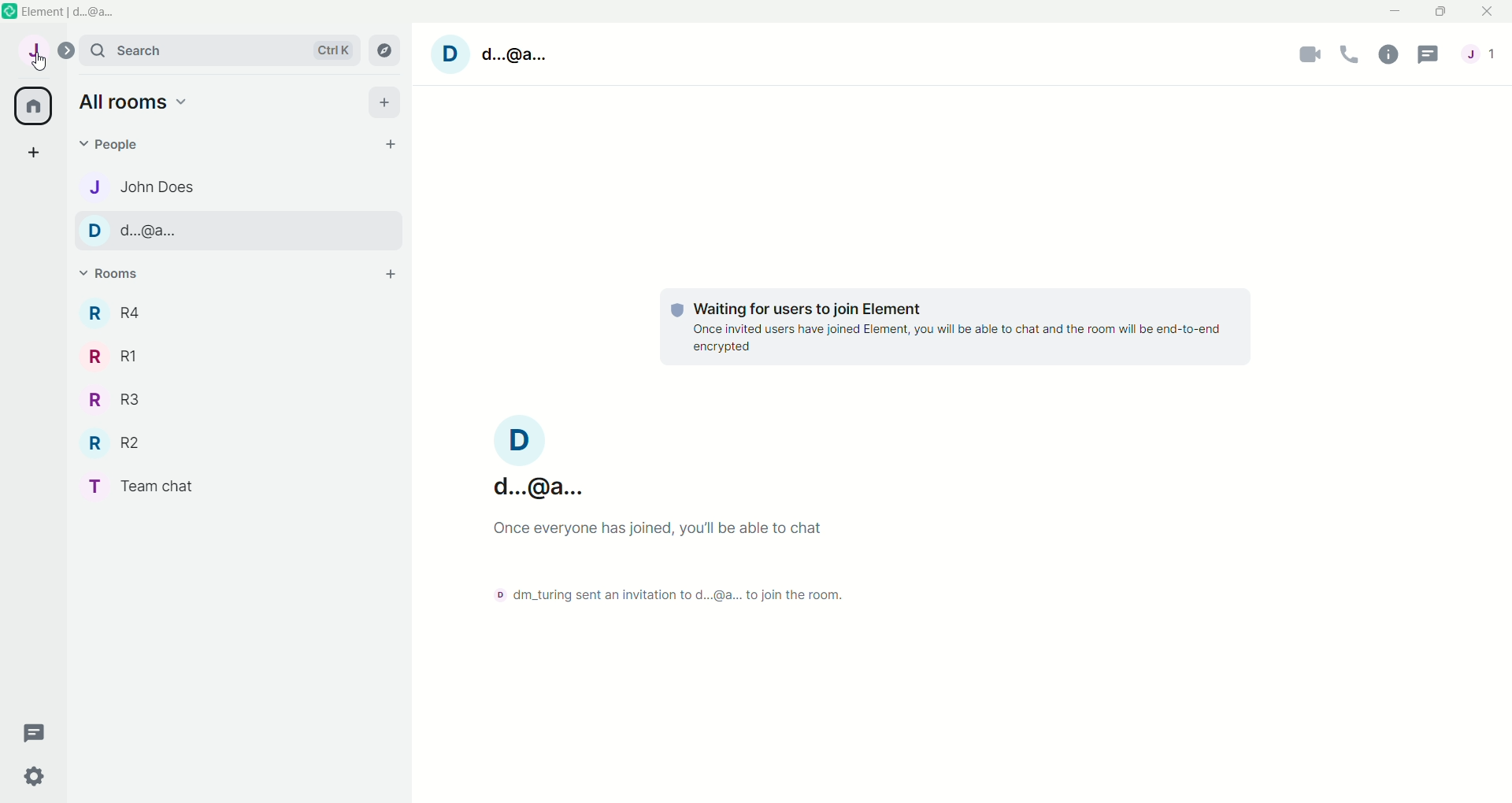 This screenshot has width=1512, height=803. Describe the element at coordinates (1352, 52) in the screenshot. I see `Voice call` at that location.